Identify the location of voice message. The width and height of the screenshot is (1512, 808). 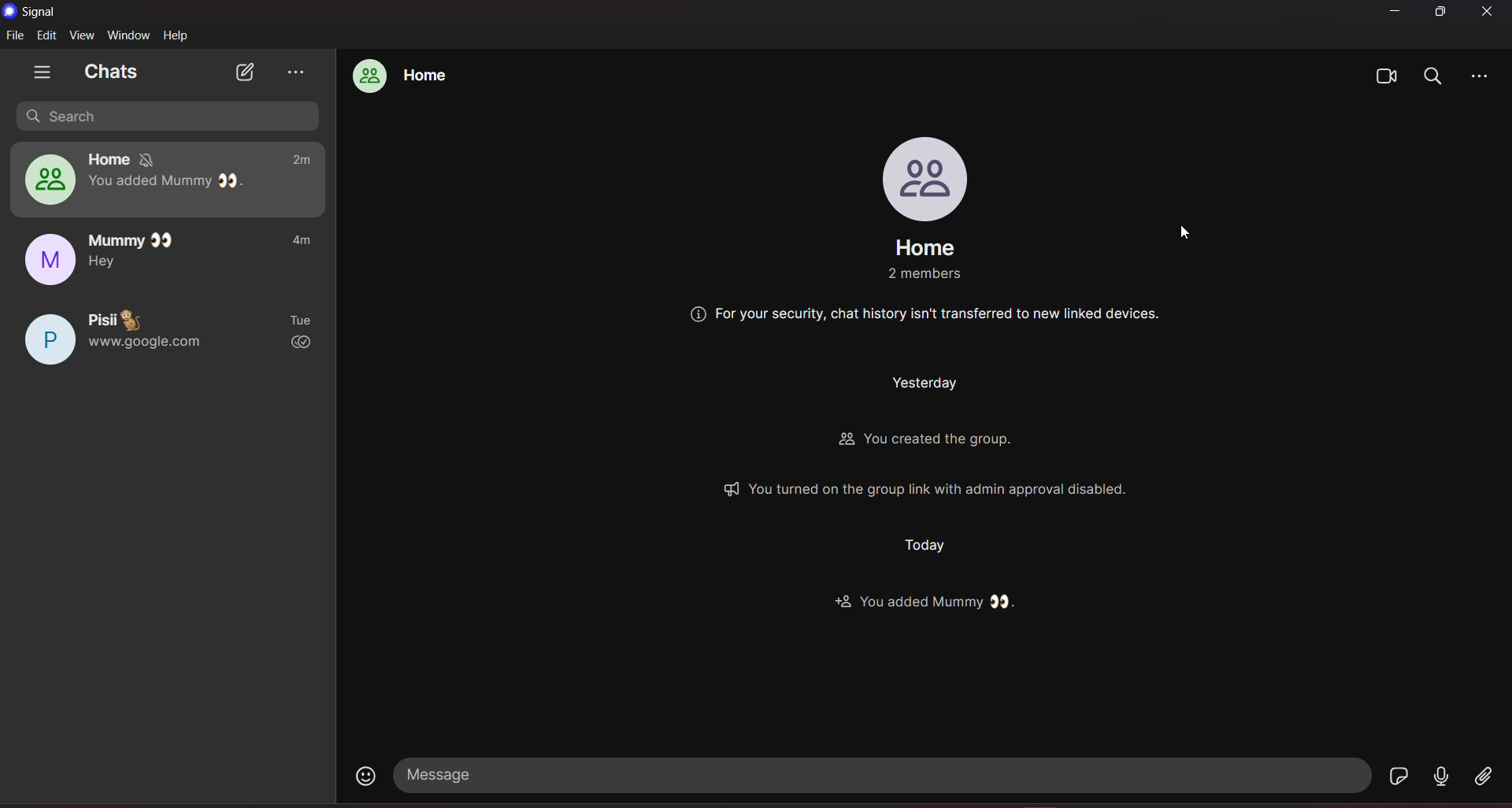
(1440, 776).